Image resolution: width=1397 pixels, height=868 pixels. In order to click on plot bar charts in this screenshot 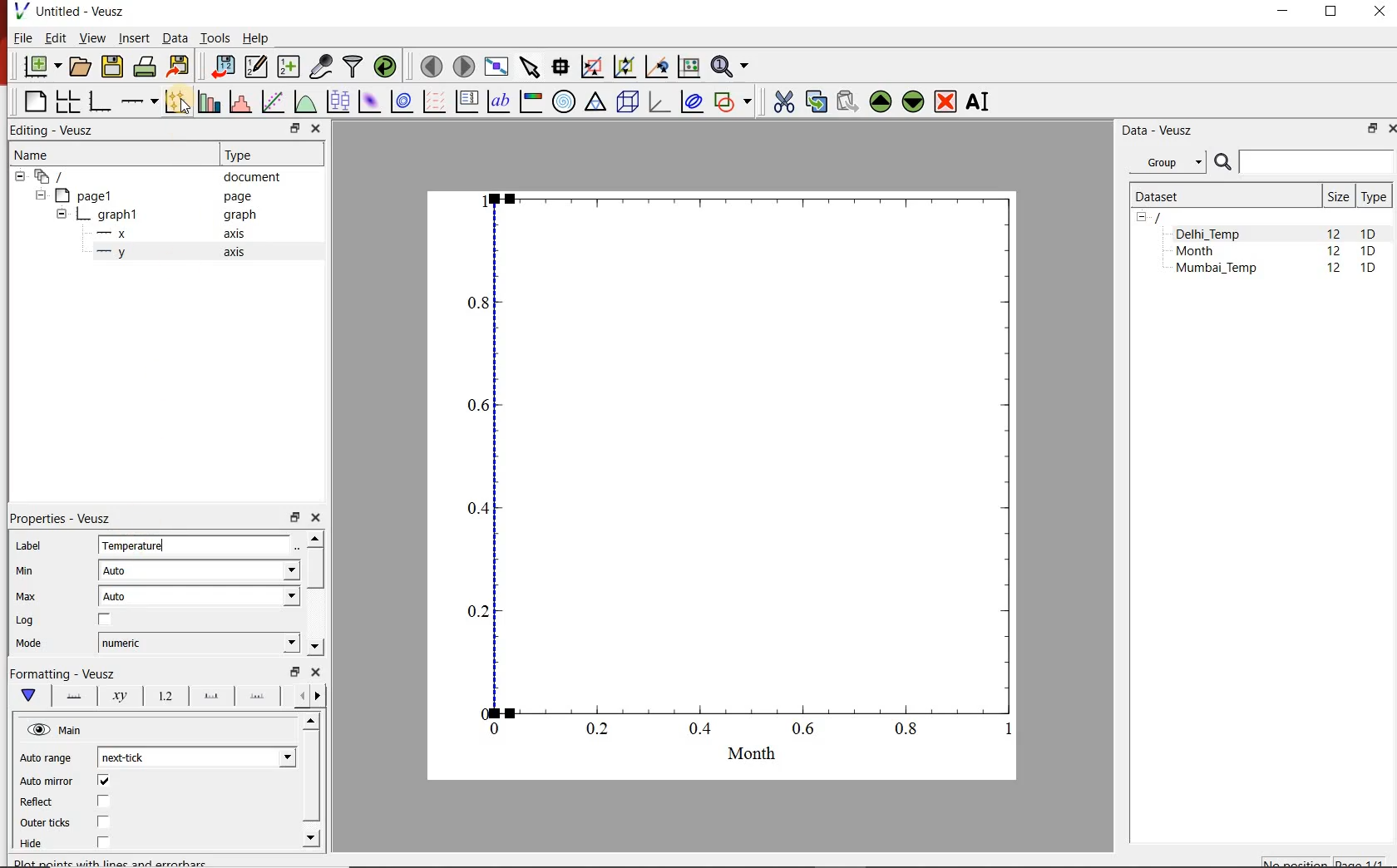, I will do `click(206, 102)`.